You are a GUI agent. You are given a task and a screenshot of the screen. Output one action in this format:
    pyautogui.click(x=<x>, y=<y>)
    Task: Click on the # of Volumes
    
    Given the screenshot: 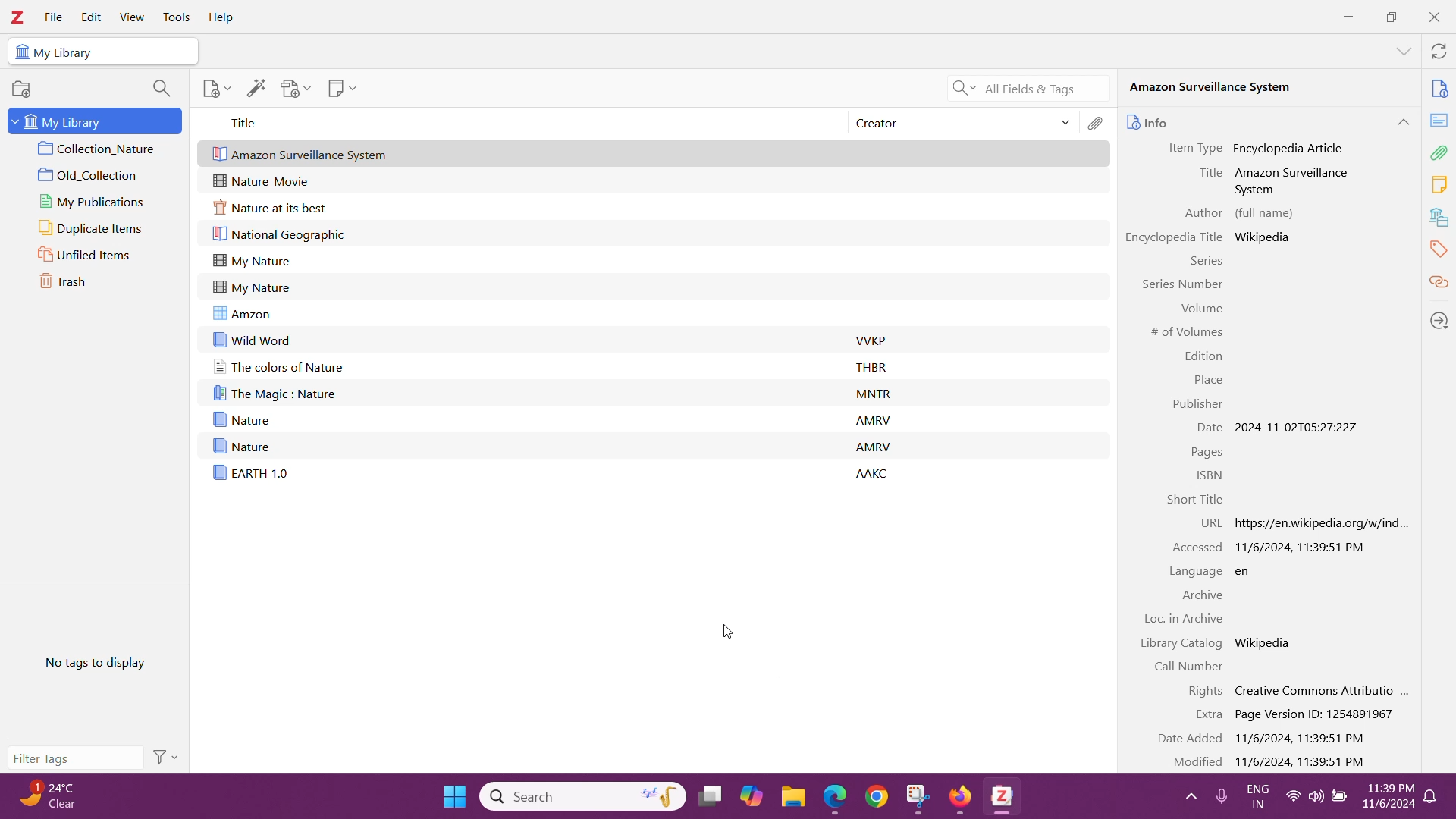 What is the action you would take?
    pyautogui.click(x=1179, y=332)
    